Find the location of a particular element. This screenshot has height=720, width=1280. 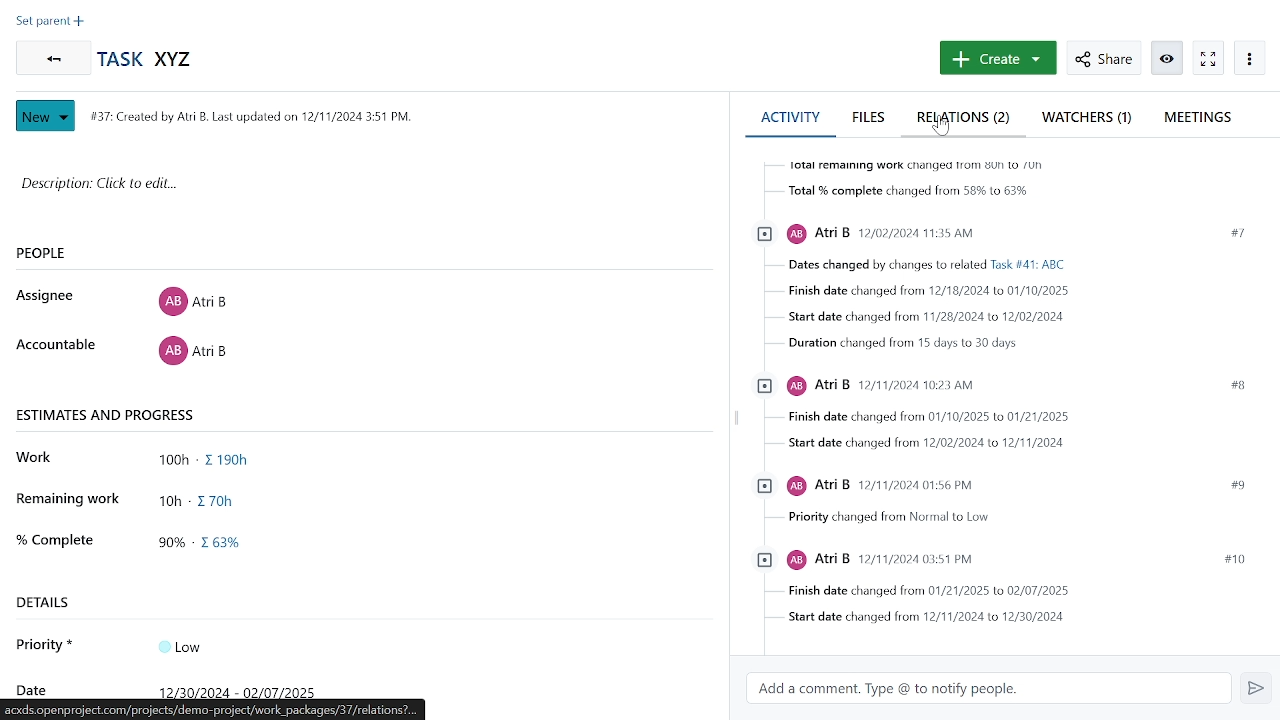

go back is located at coordinates (50, 58).